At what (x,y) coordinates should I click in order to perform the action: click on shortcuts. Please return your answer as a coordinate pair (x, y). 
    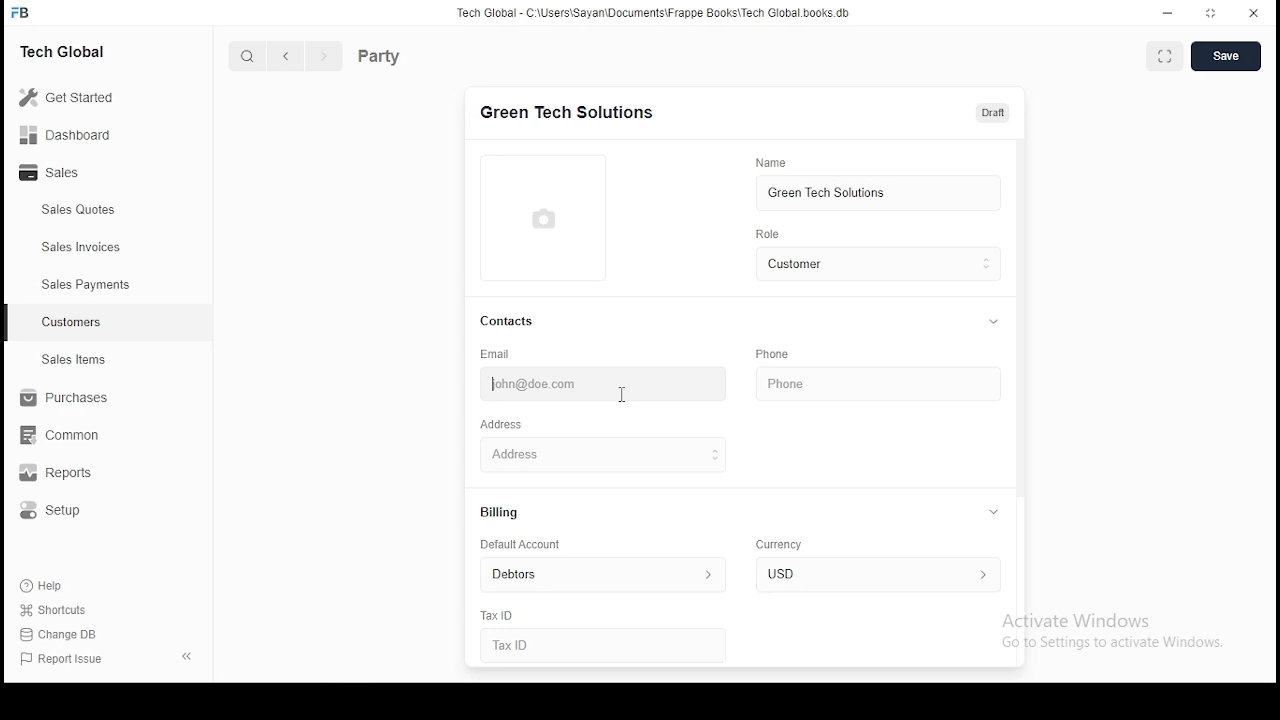
    Looking at the image, I should click on (52, 611).